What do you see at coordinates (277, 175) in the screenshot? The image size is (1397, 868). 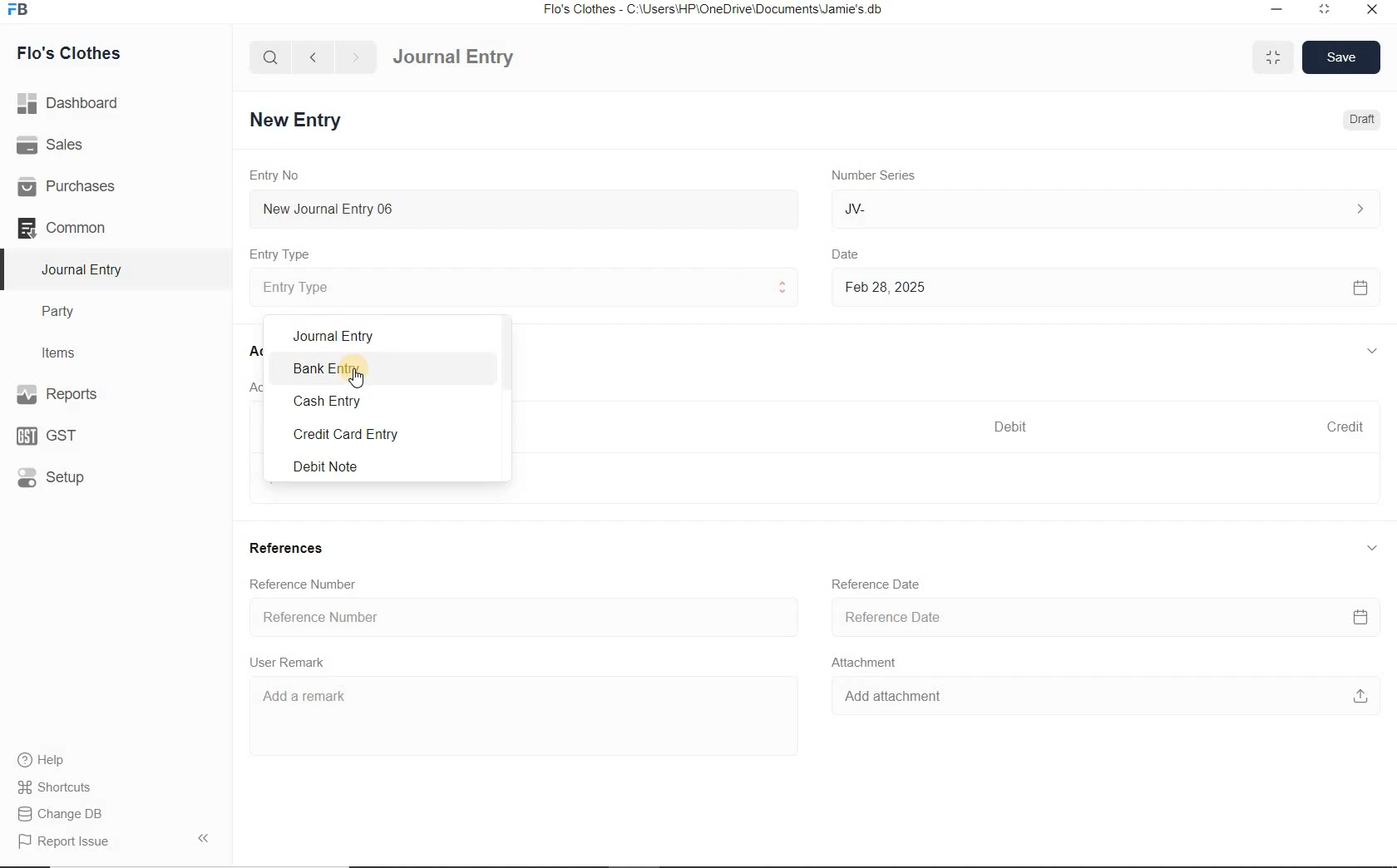 I see `Entry No` at bounding box center [277, 175].